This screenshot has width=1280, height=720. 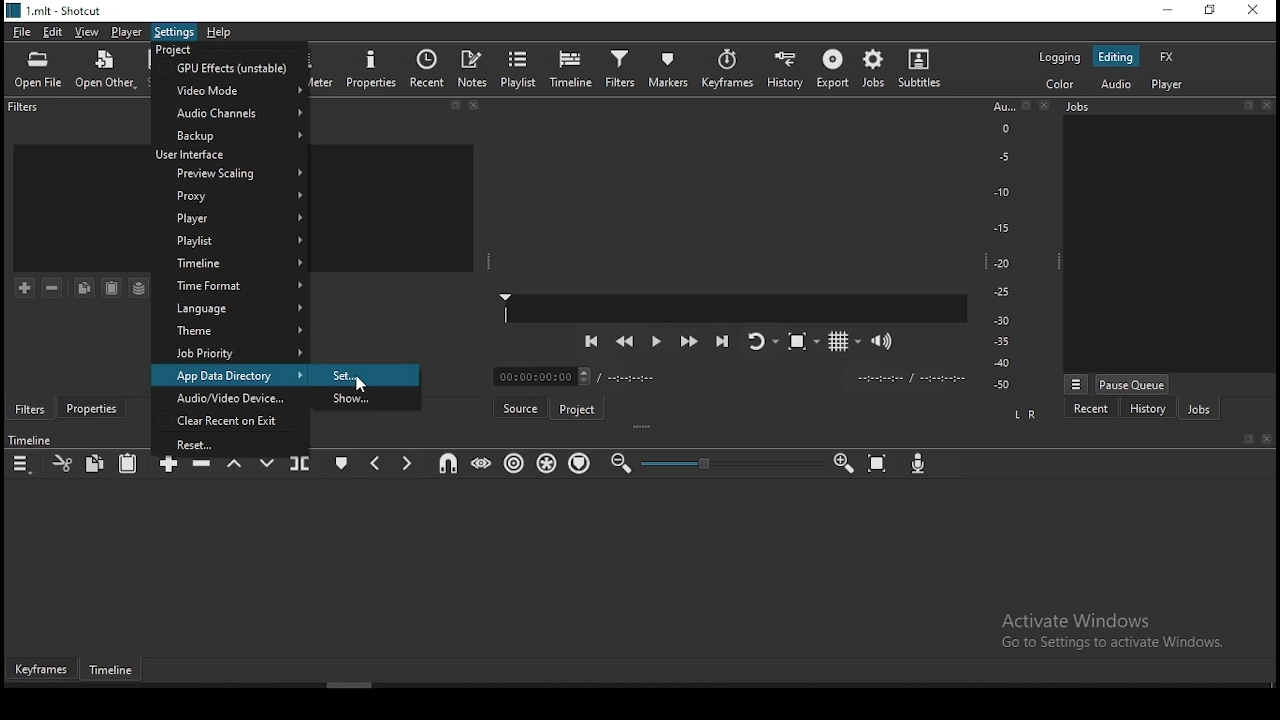 I want to click on source, so click(x=519, y=406).